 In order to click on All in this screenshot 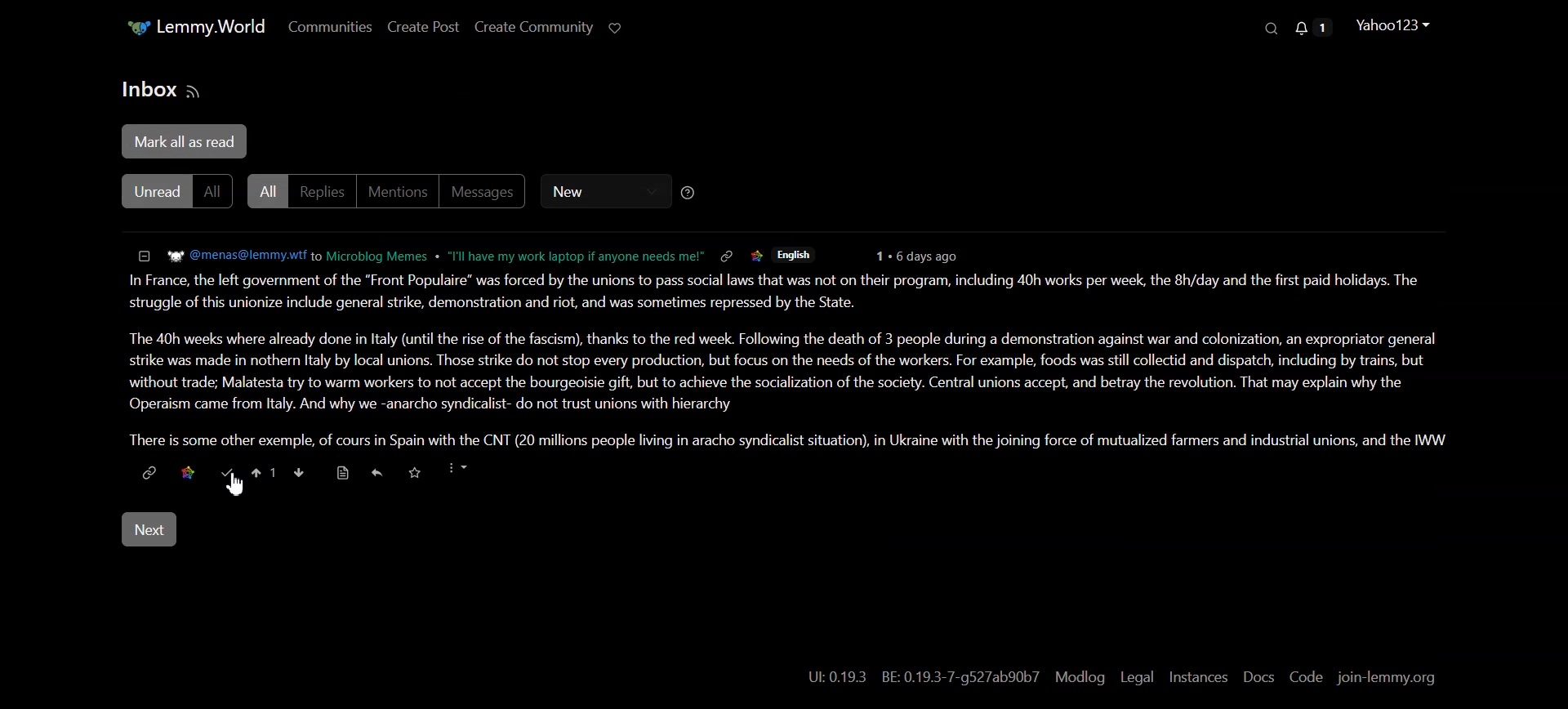, I will do `click(214, 190)`.